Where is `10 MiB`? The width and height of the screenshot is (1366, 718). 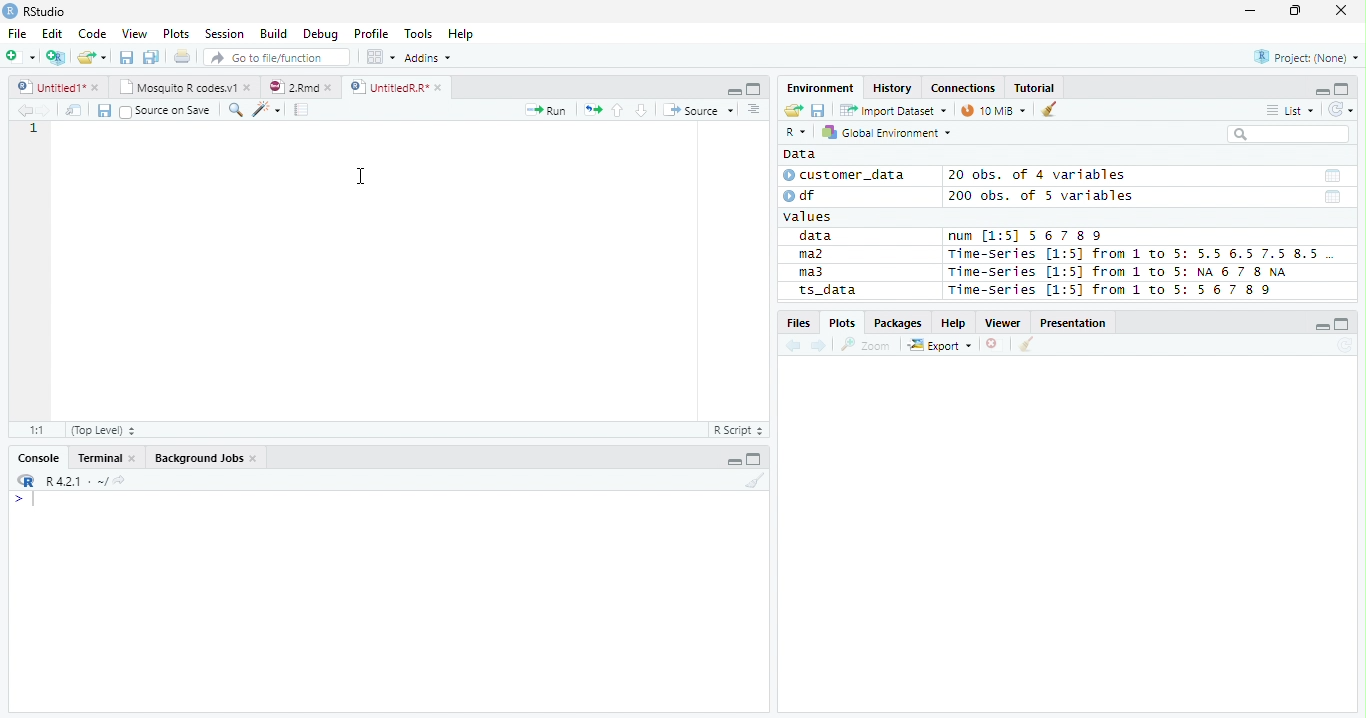 10 MiB is located at coordinates (995, 110).